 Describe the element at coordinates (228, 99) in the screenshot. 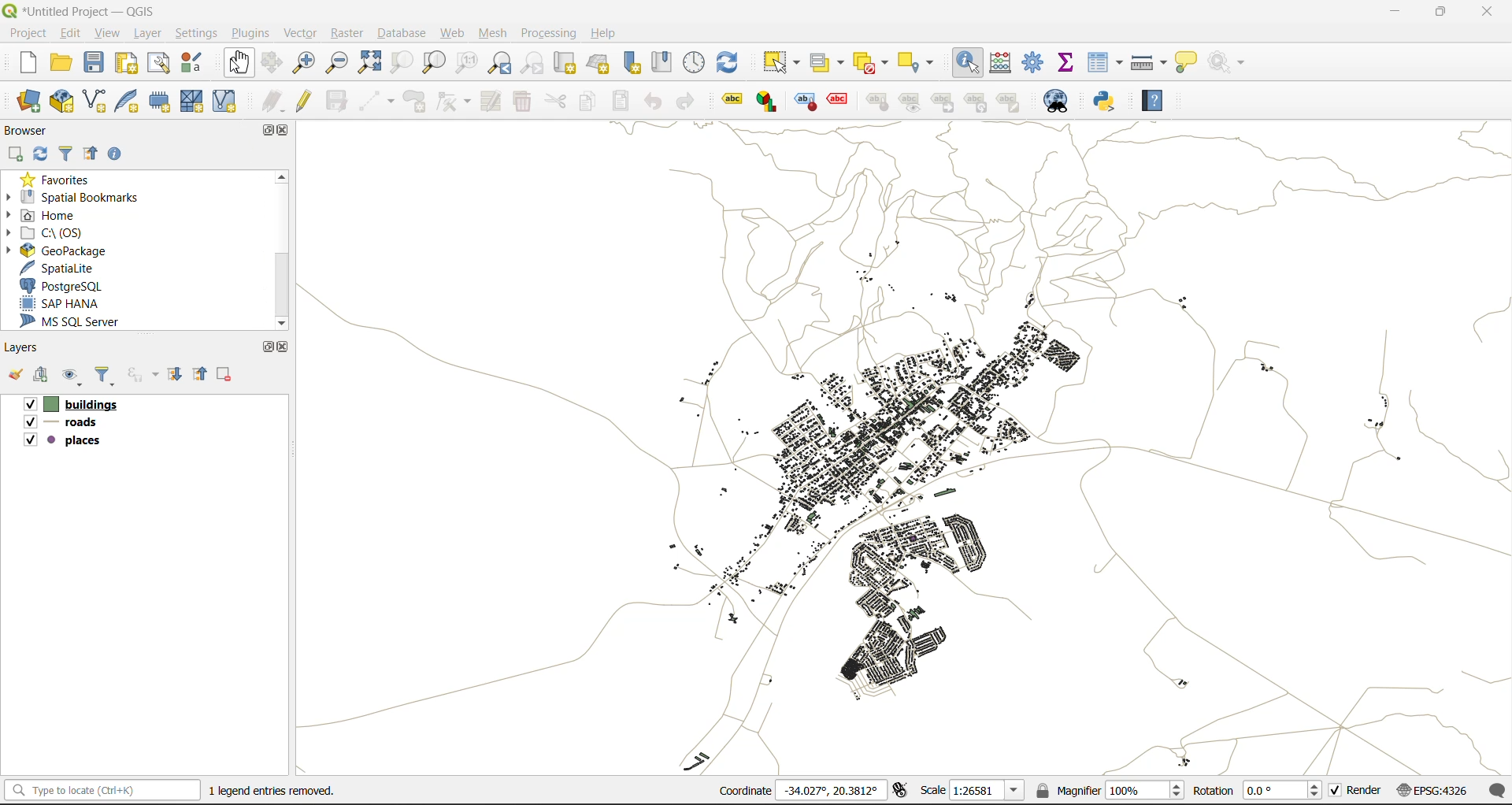

I see `new virtual layer` at that location.